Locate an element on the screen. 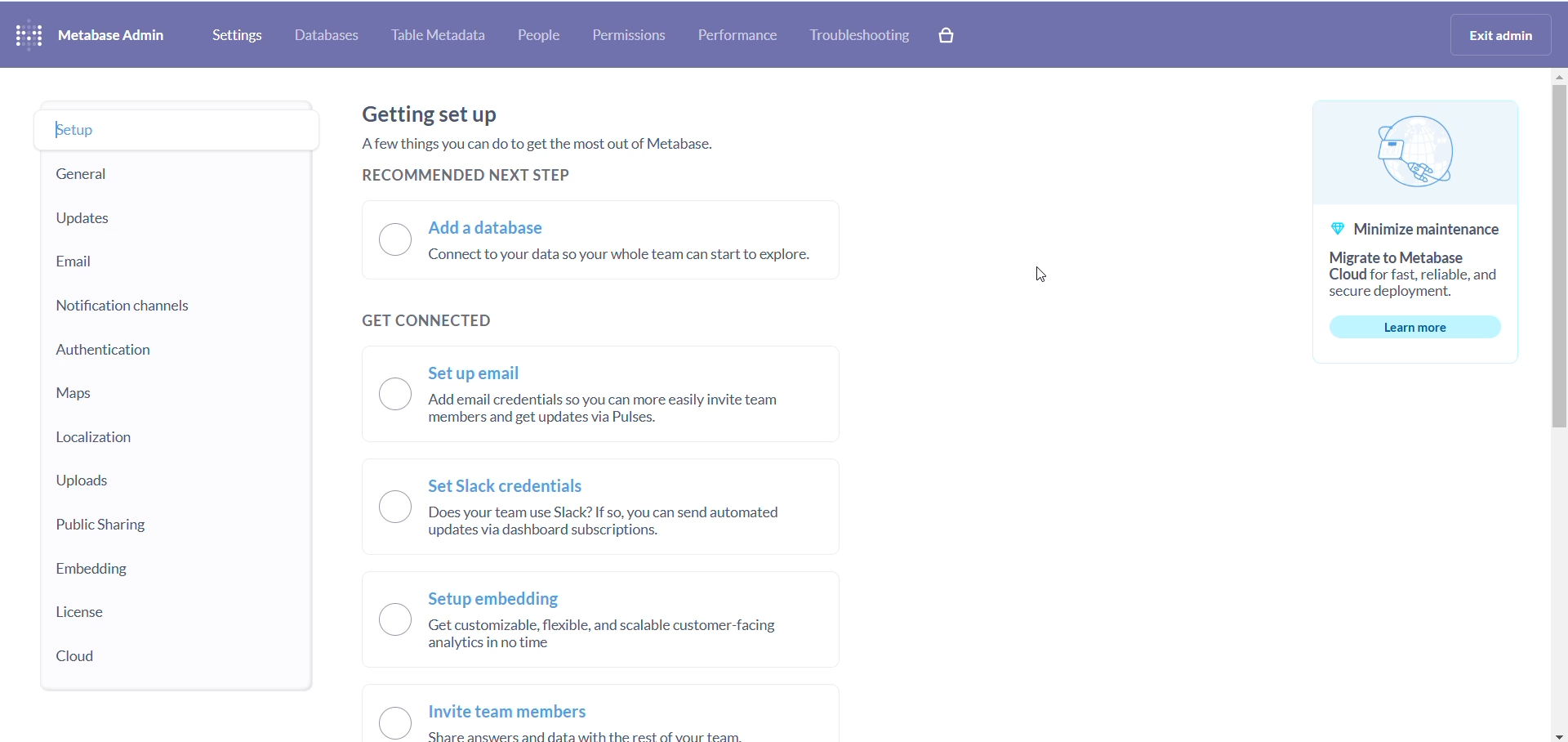 Image resolution: width=1568 pixels, height=742 pixels. move down is located at coordinates (1558, 737).